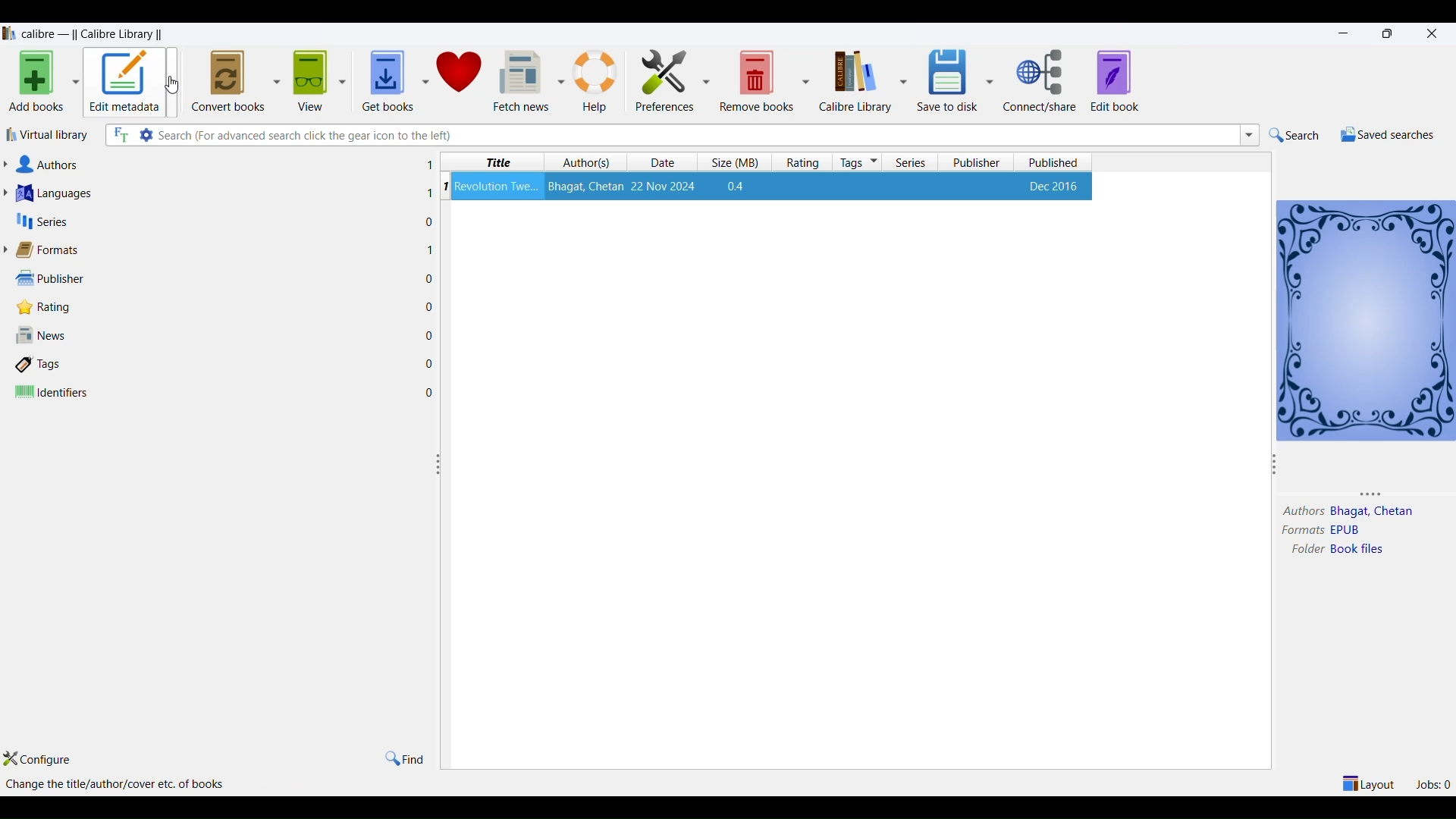 This screenshot has width=1456, height=819. Describe the element at coordinates (522, 76) in the screenshot. I see `fetch news` at that location.